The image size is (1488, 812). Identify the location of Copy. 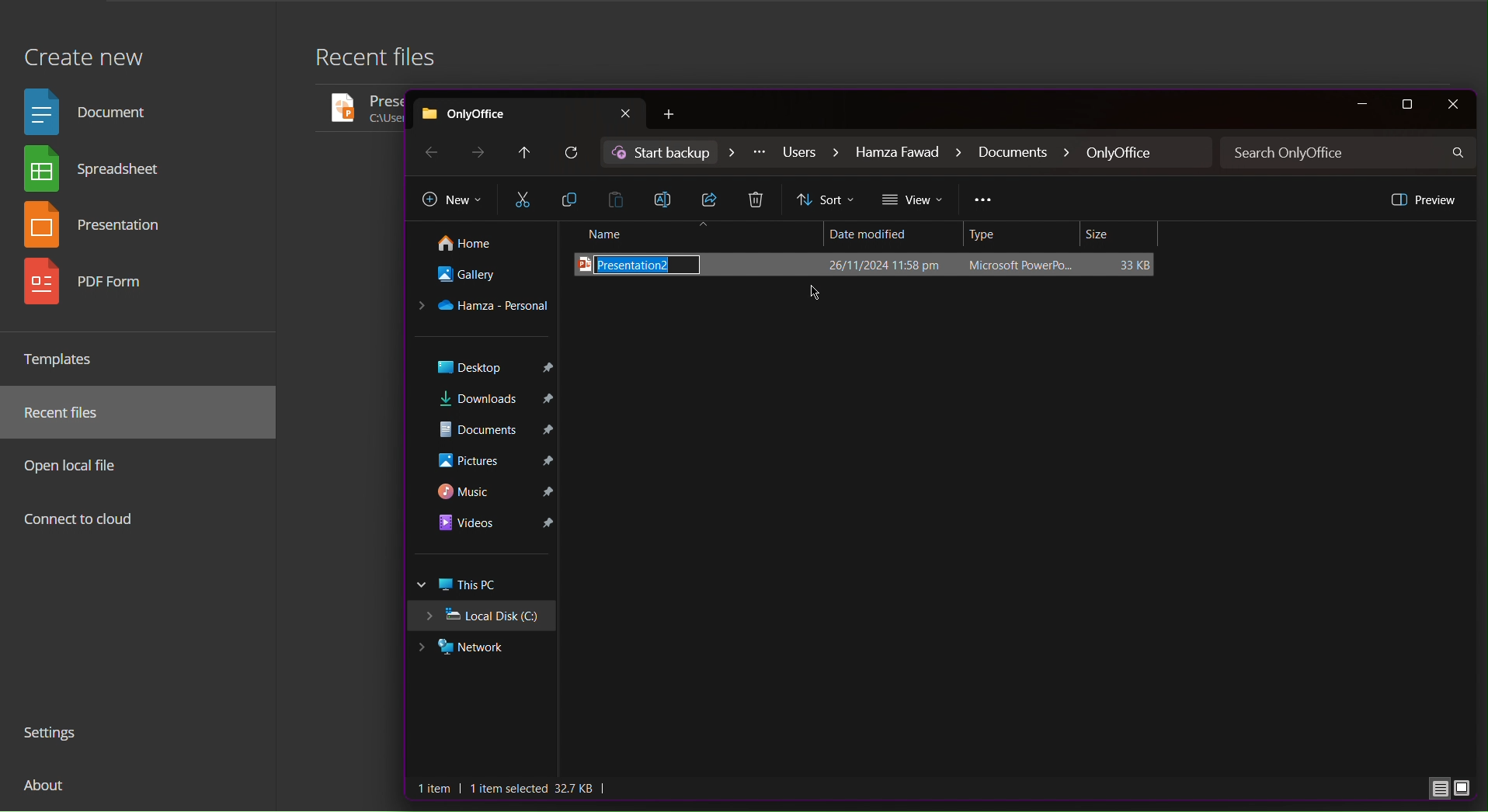
(571, 200).